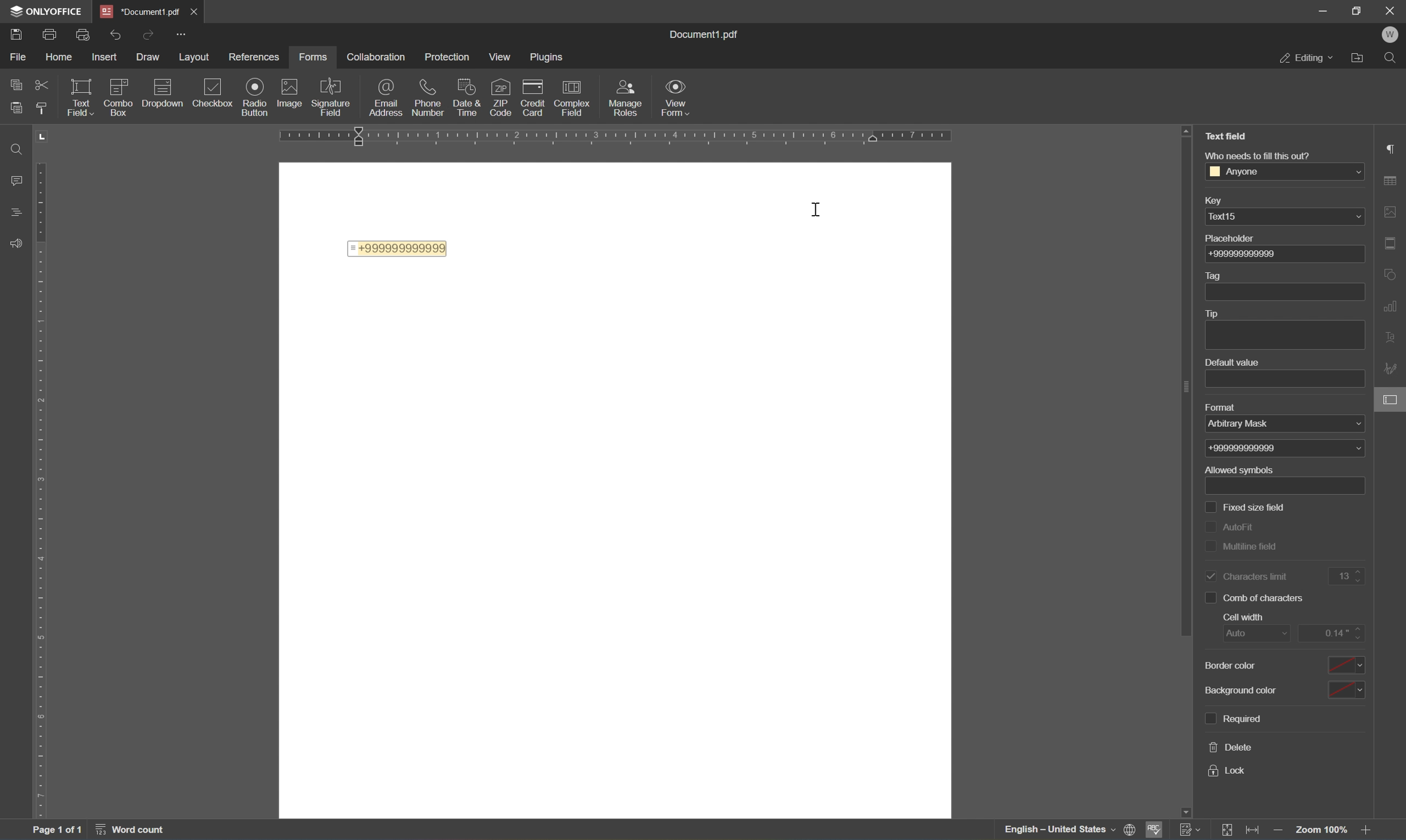 The image size is (1406, 840). I want to click on collaboration, so click(377, 57).